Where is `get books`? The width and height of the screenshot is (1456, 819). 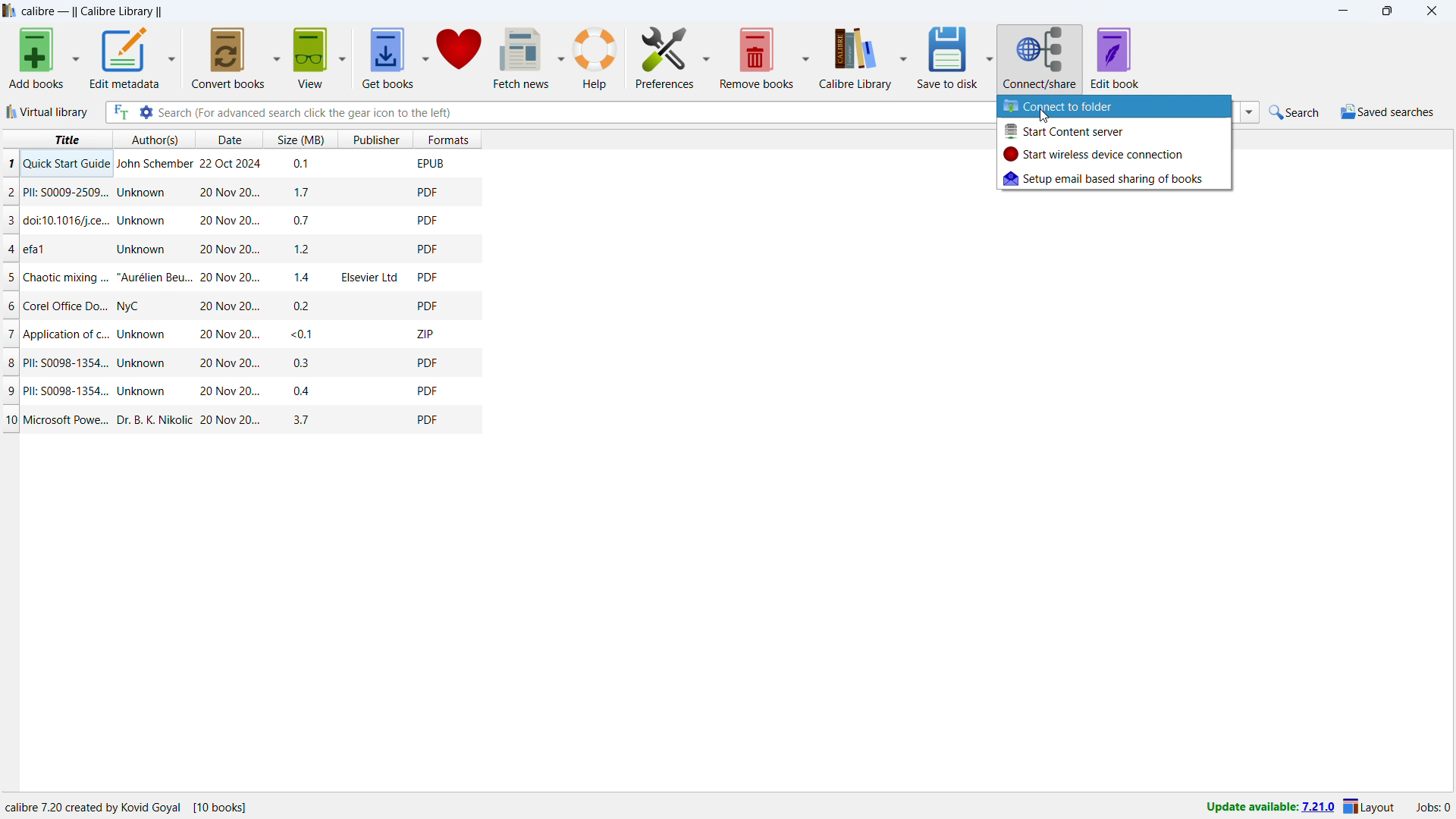 get books is located at coordinates (388, 58).